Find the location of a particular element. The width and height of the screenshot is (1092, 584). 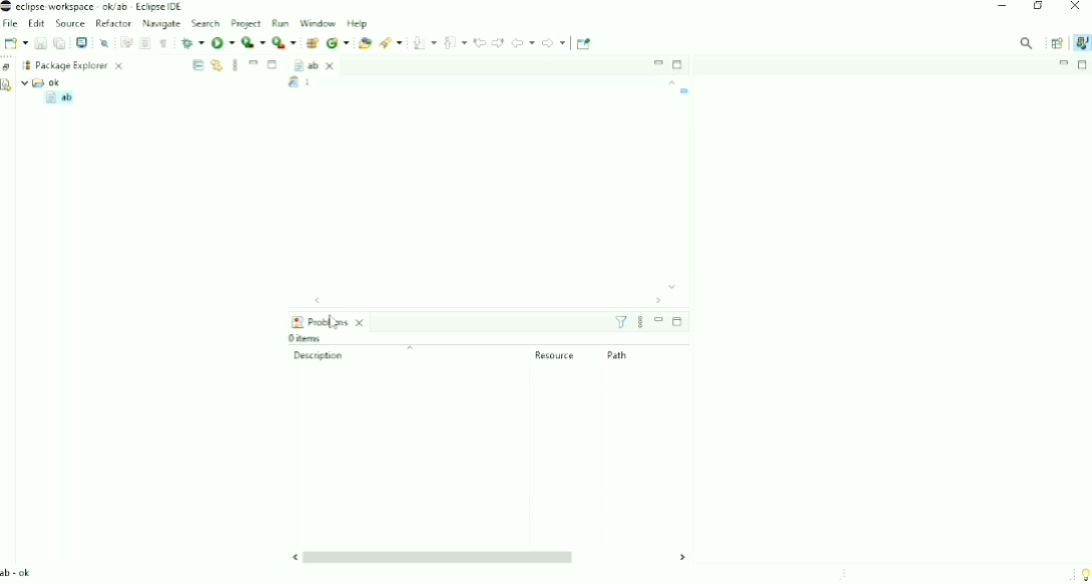

Search is located at coordinates (206, 22).